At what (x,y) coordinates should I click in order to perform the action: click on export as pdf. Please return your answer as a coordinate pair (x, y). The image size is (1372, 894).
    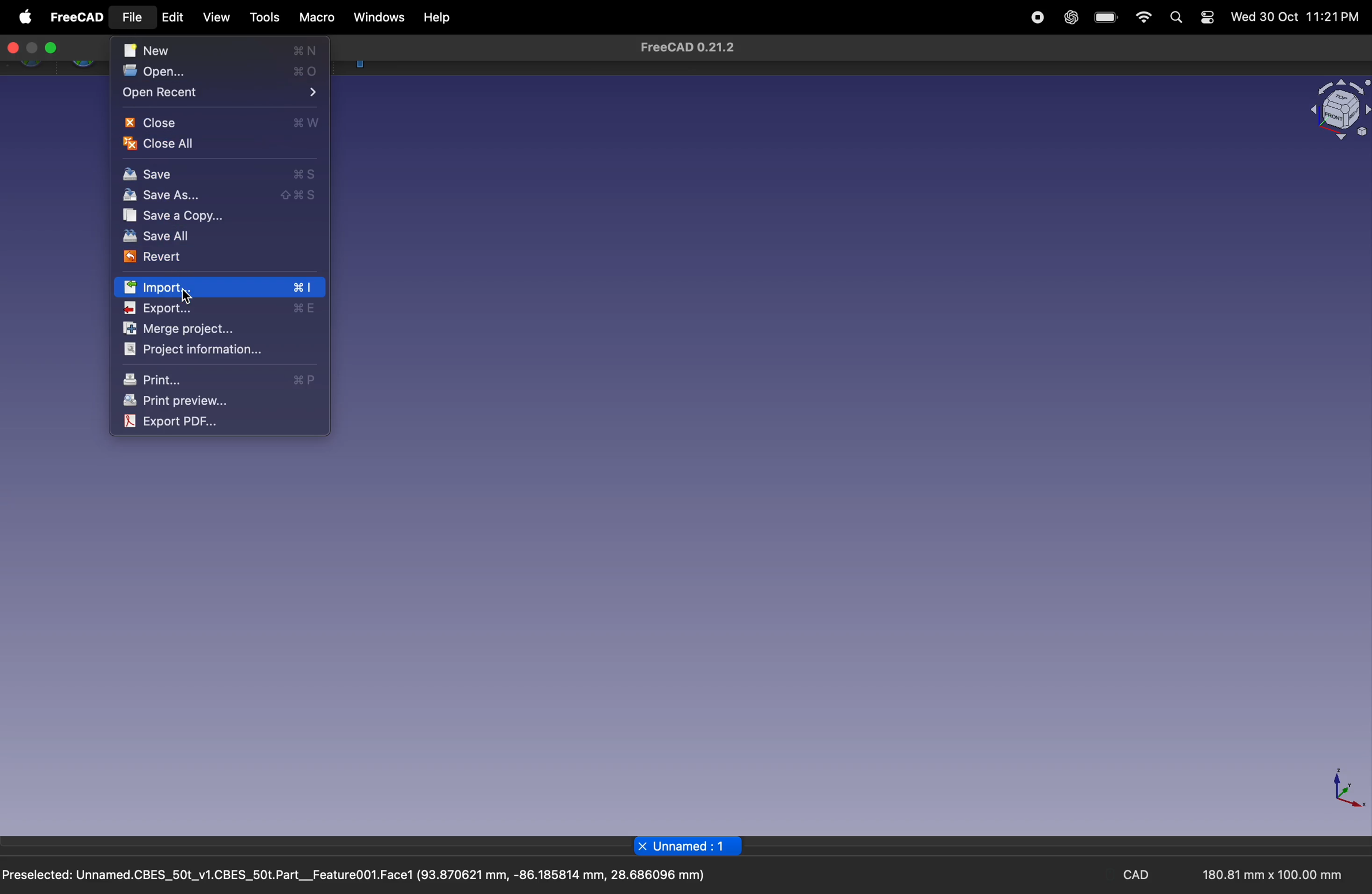
    Looking at the image, I should click on (191, 421).